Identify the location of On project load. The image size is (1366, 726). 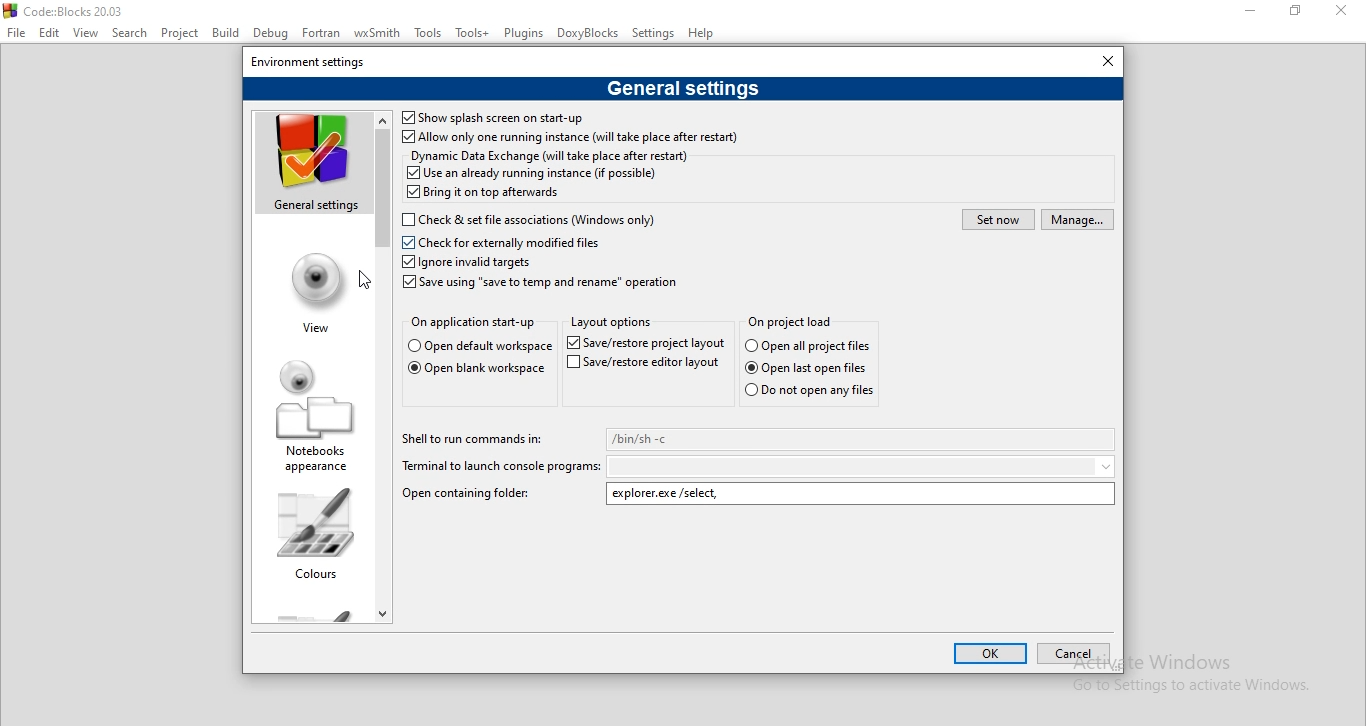
(788, 321).